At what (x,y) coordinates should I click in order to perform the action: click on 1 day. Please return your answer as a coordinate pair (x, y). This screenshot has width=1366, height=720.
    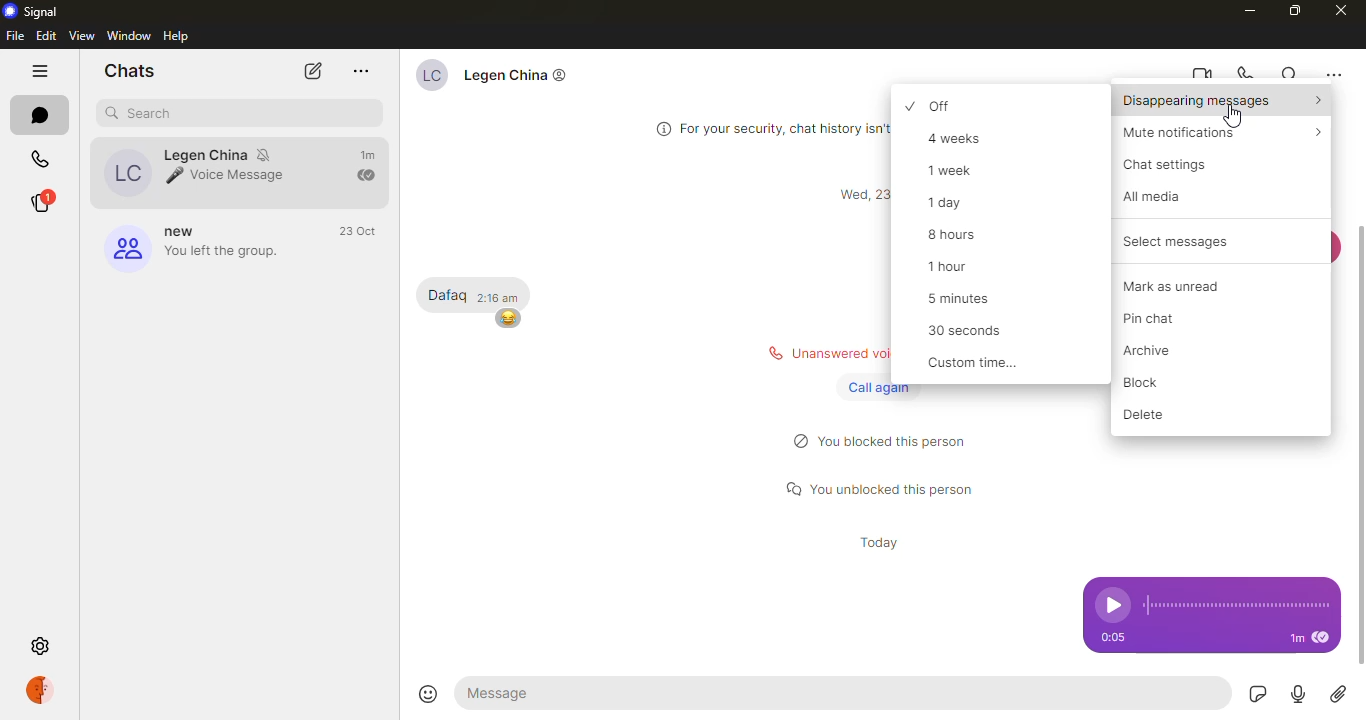
    Looking at the image, I should click on (956, 203).